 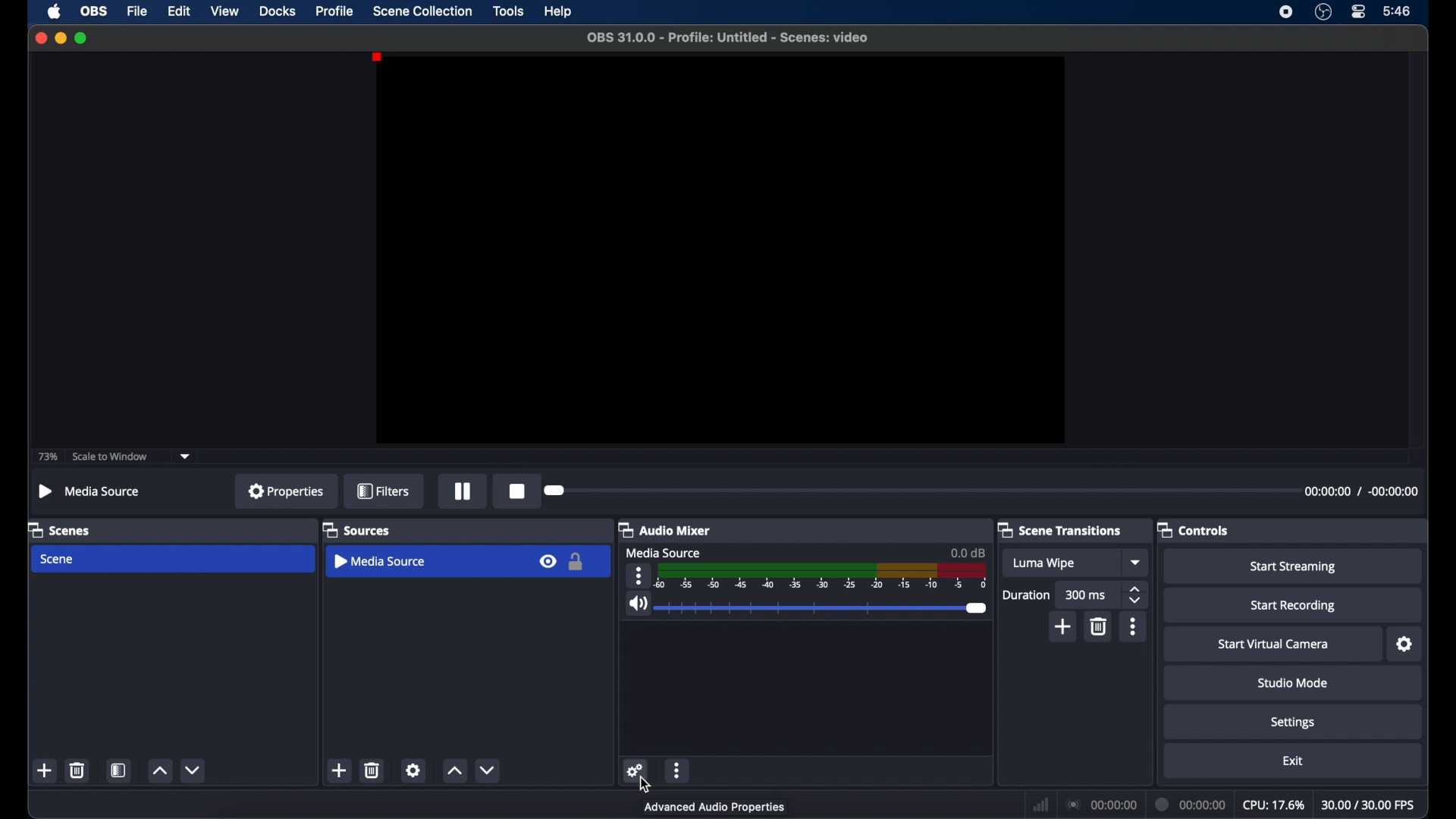 What do you see at coordinates (715, 808) in the screenshot?
I see `tooltip` at bounding box center [715, 808].